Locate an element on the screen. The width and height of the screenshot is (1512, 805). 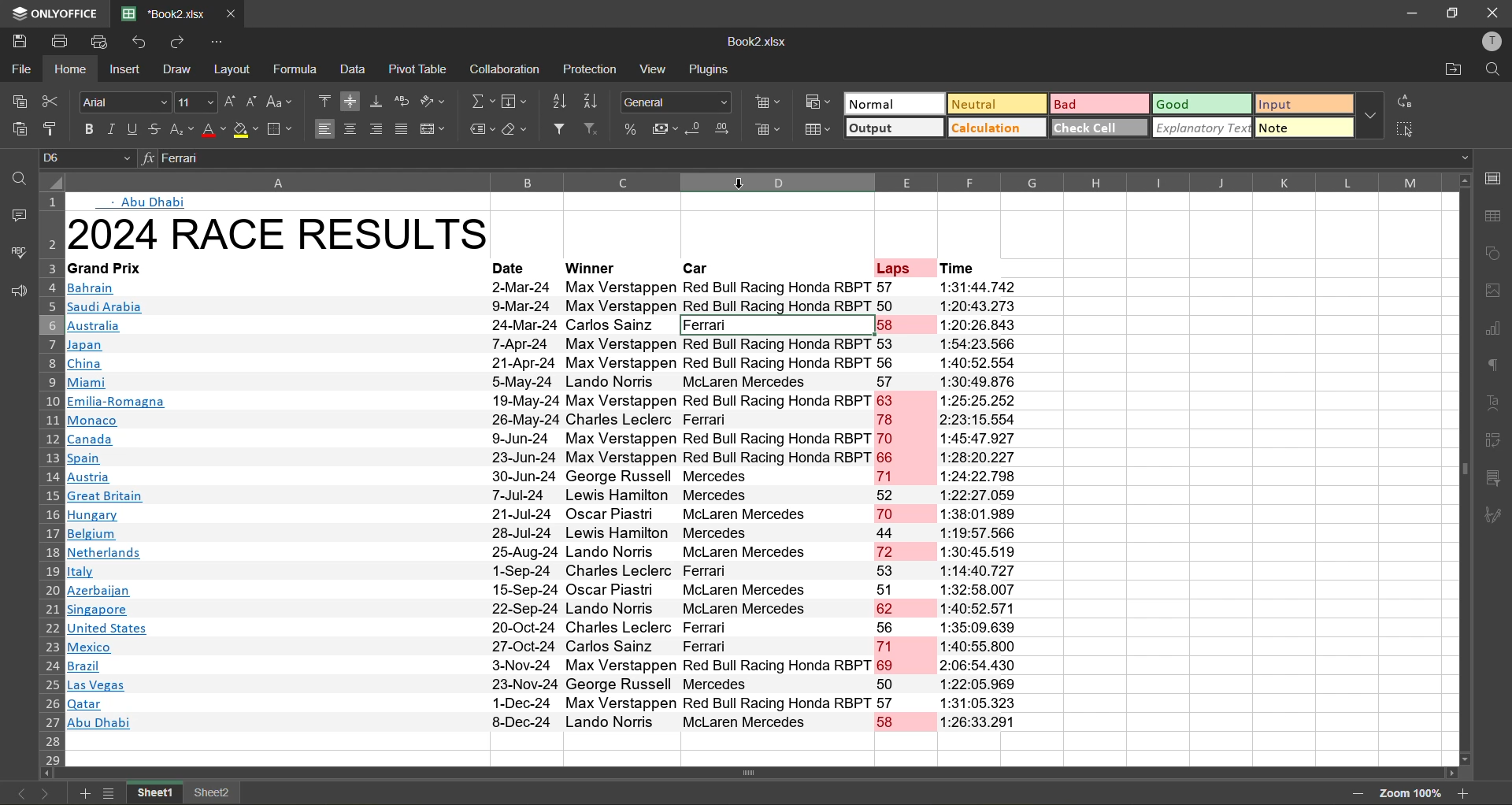
calculation is located at coordinates (997, 129).